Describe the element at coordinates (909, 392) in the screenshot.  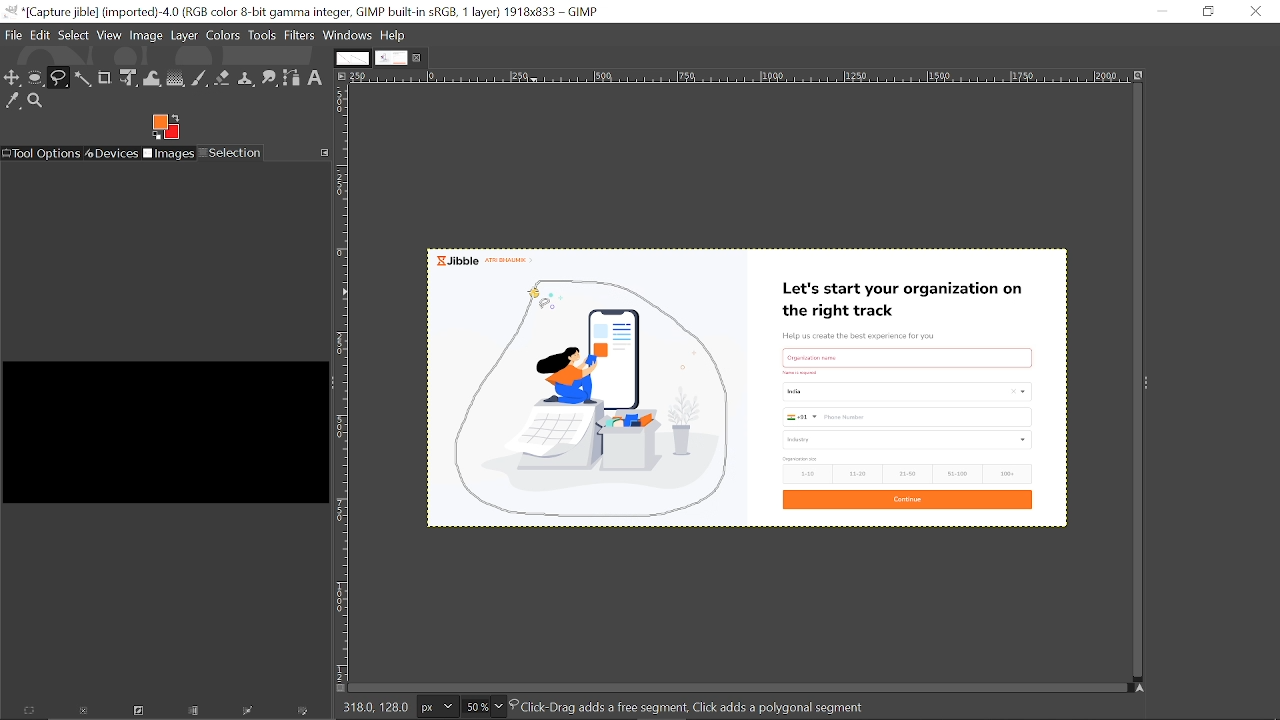
I see `Current image` at that location.